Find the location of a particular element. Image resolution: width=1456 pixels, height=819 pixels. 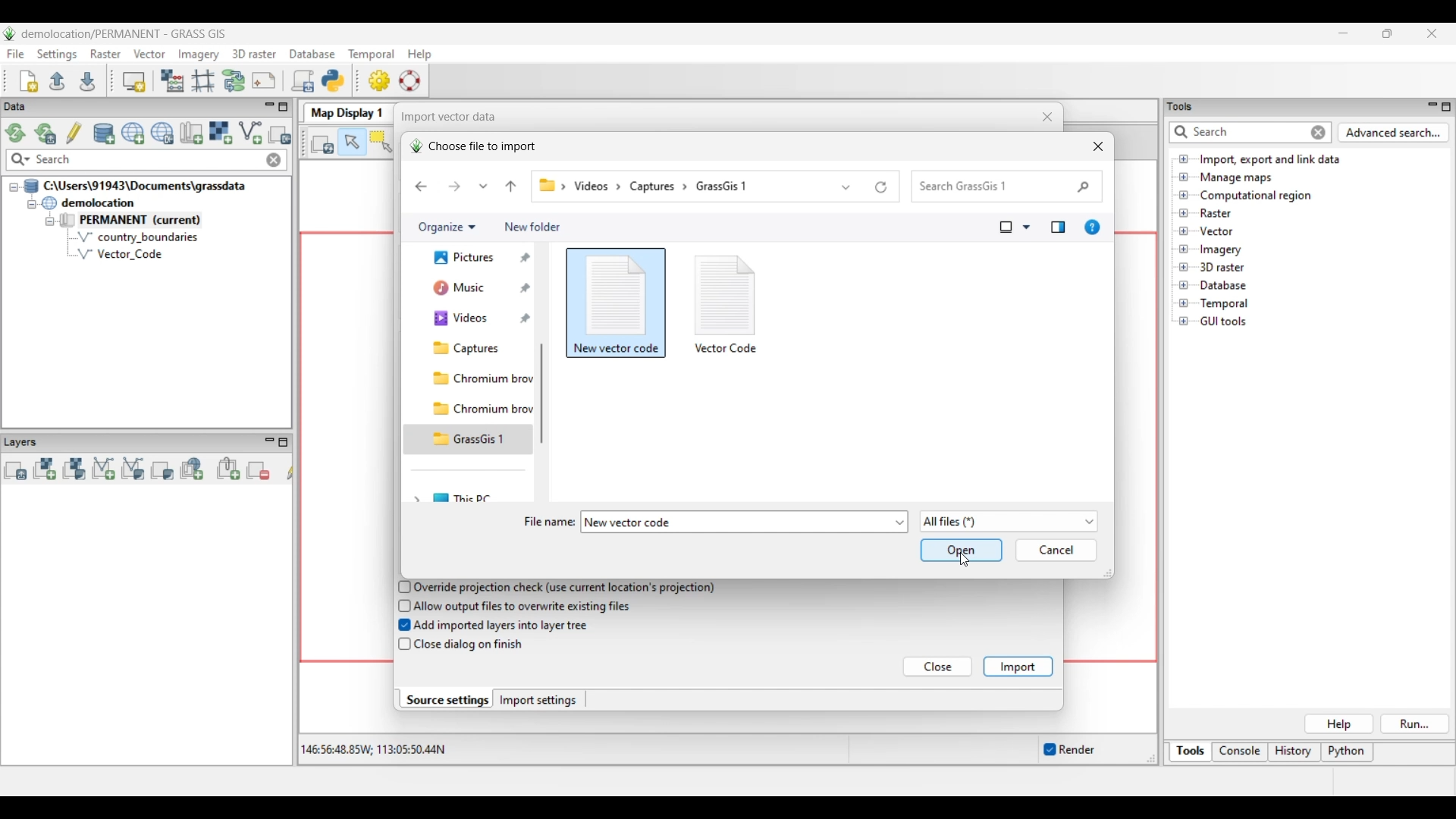

Chromium browser folder is located at coordinates (479, 409).